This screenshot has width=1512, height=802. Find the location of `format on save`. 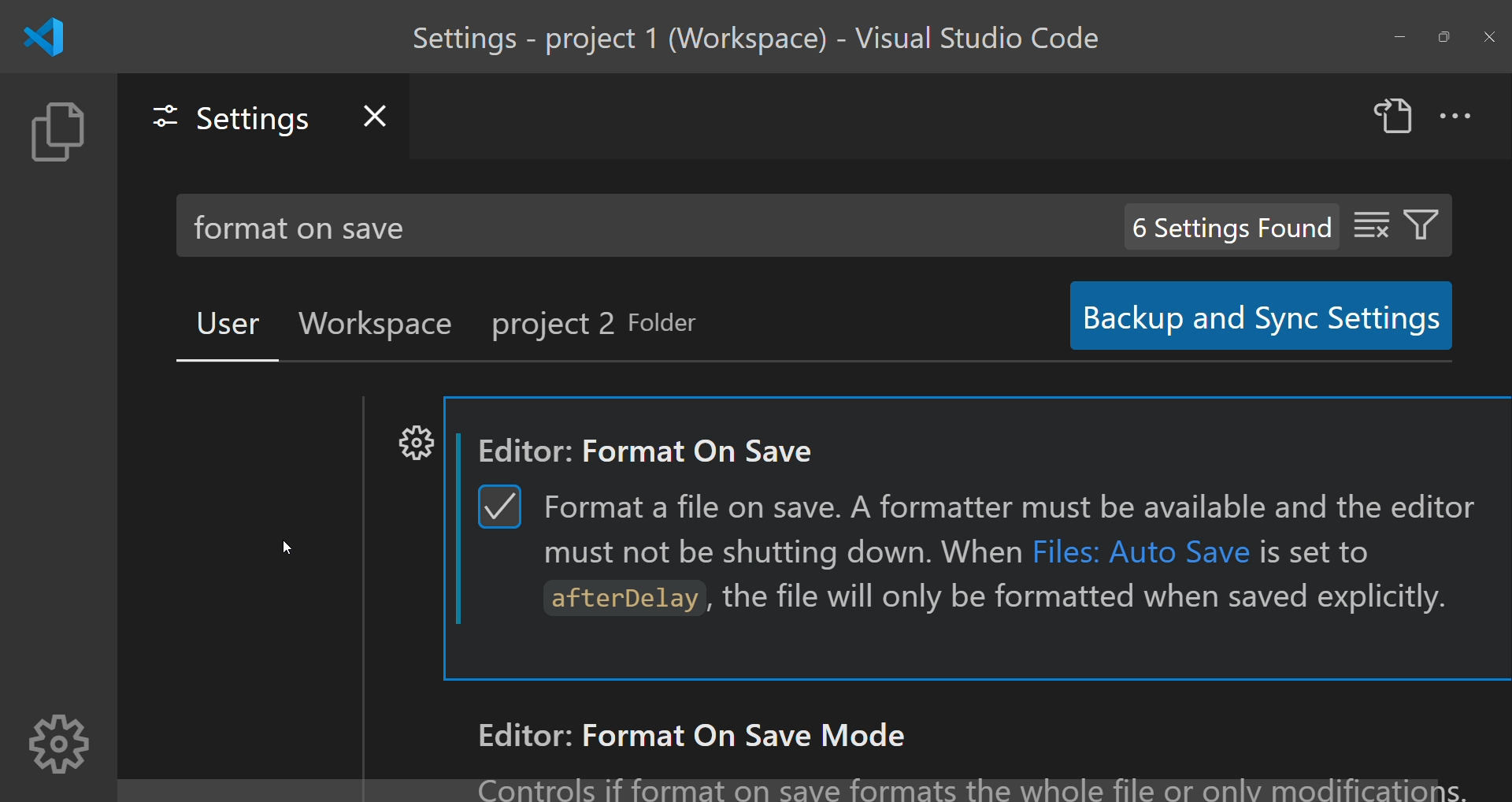

format on save is located at coordinates (309, 227).